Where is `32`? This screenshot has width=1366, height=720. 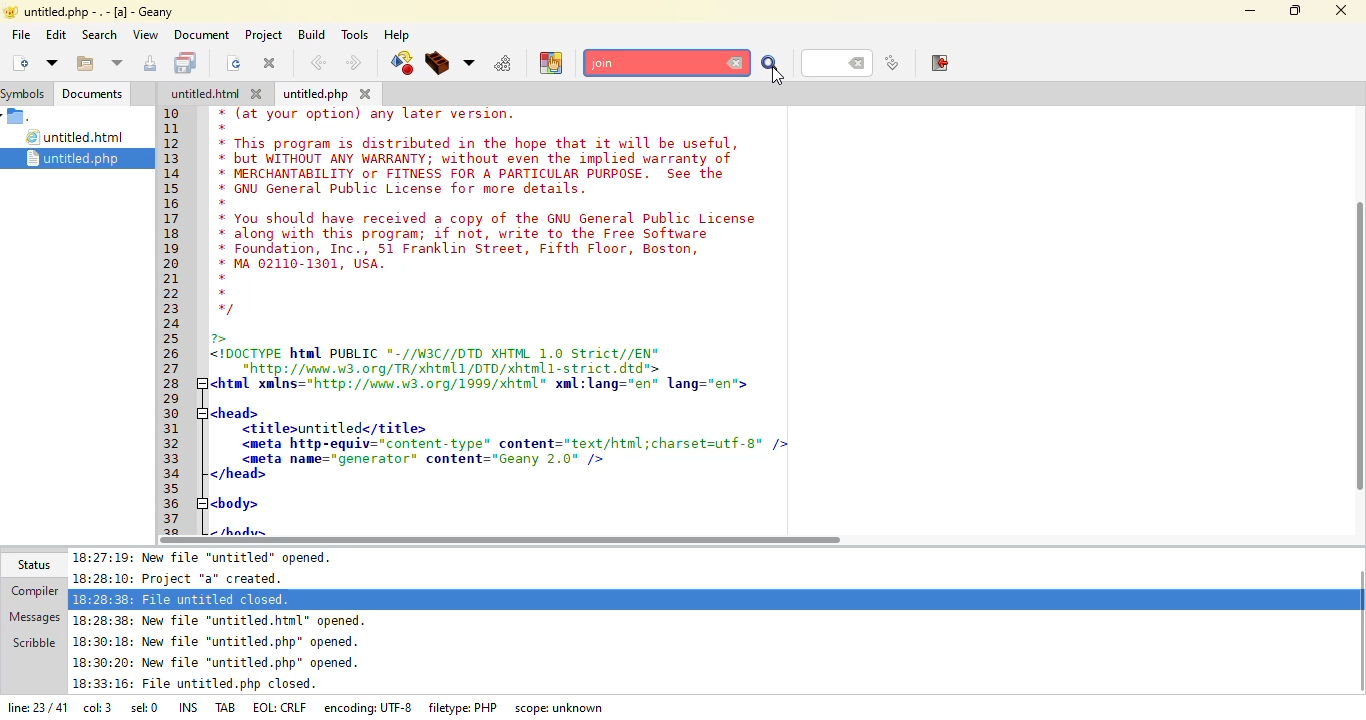
32 is located at coordinates (174, 443).